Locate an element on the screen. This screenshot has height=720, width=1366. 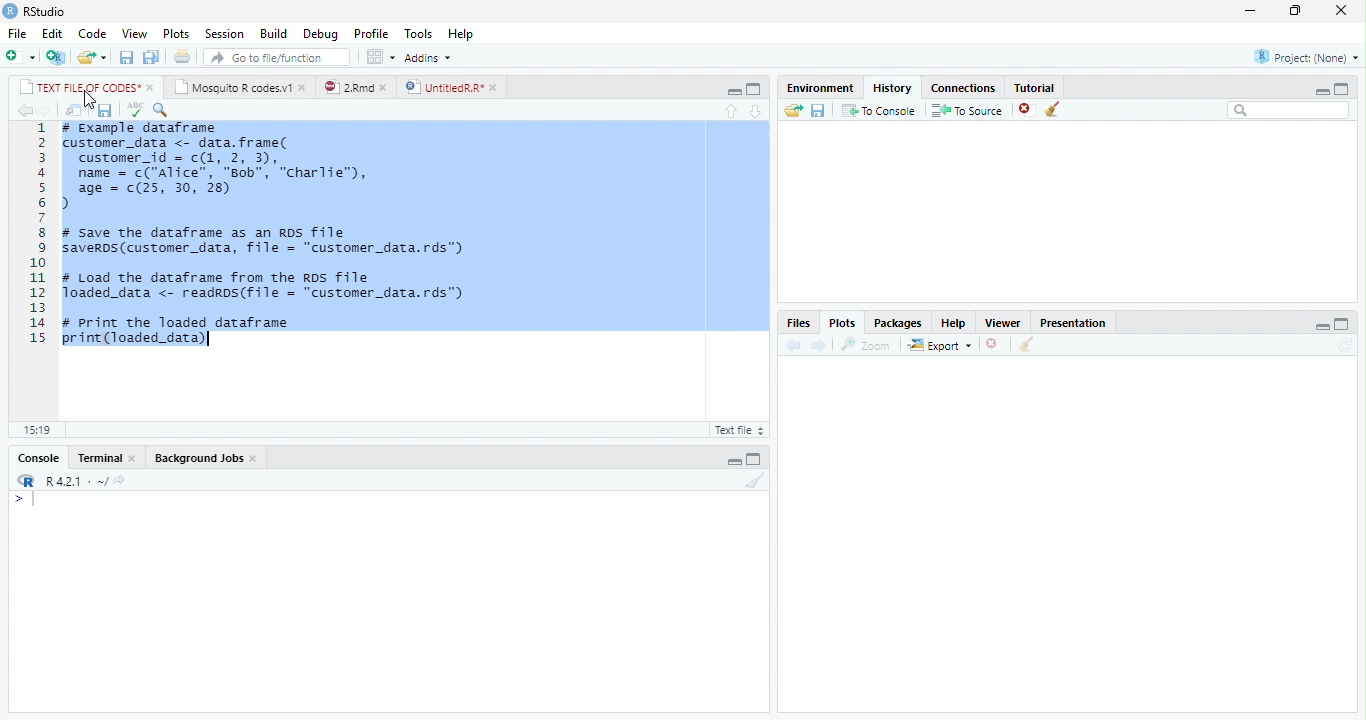
Files is located at coordinates (798, 323).